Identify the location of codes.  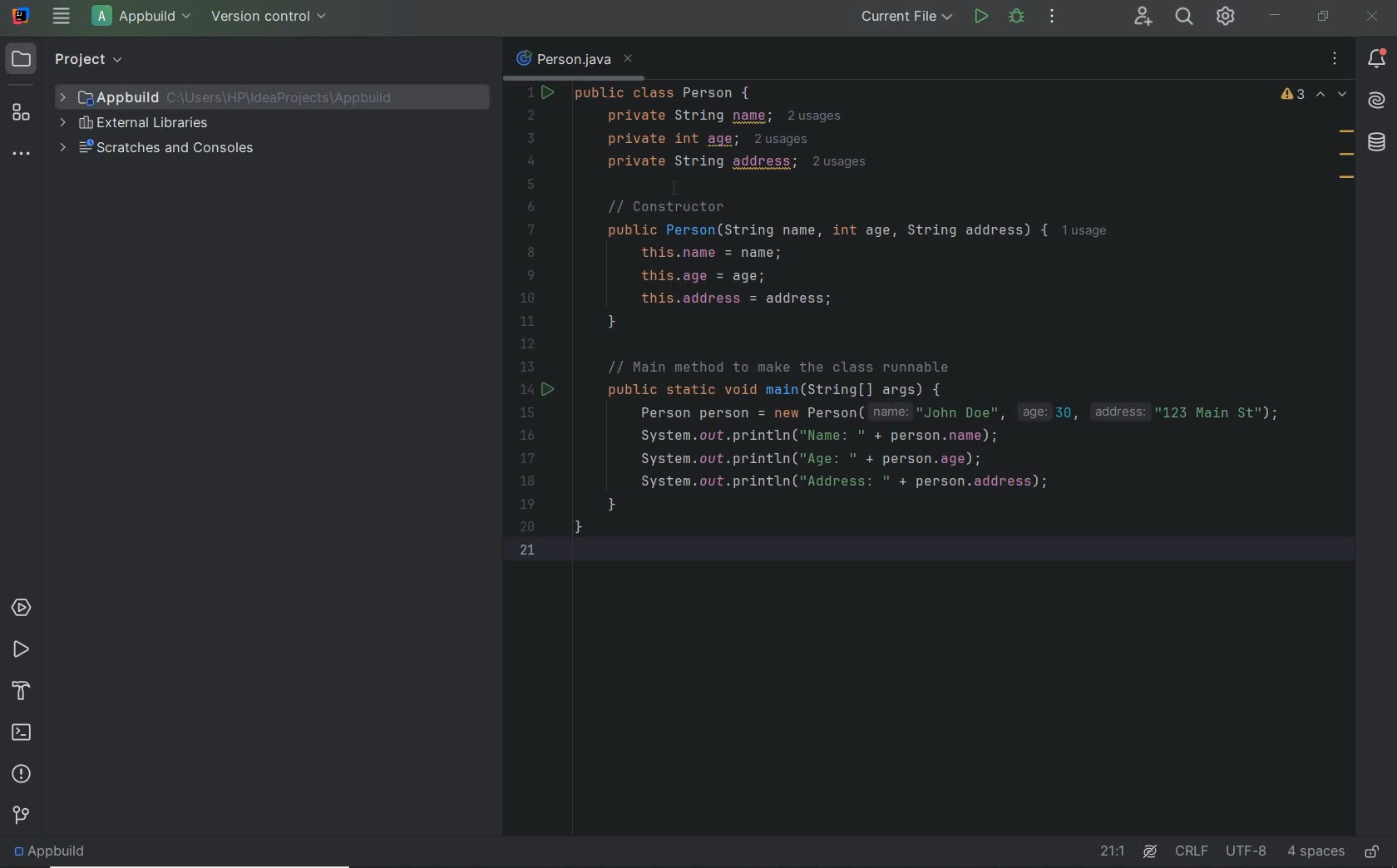
(895, 126).